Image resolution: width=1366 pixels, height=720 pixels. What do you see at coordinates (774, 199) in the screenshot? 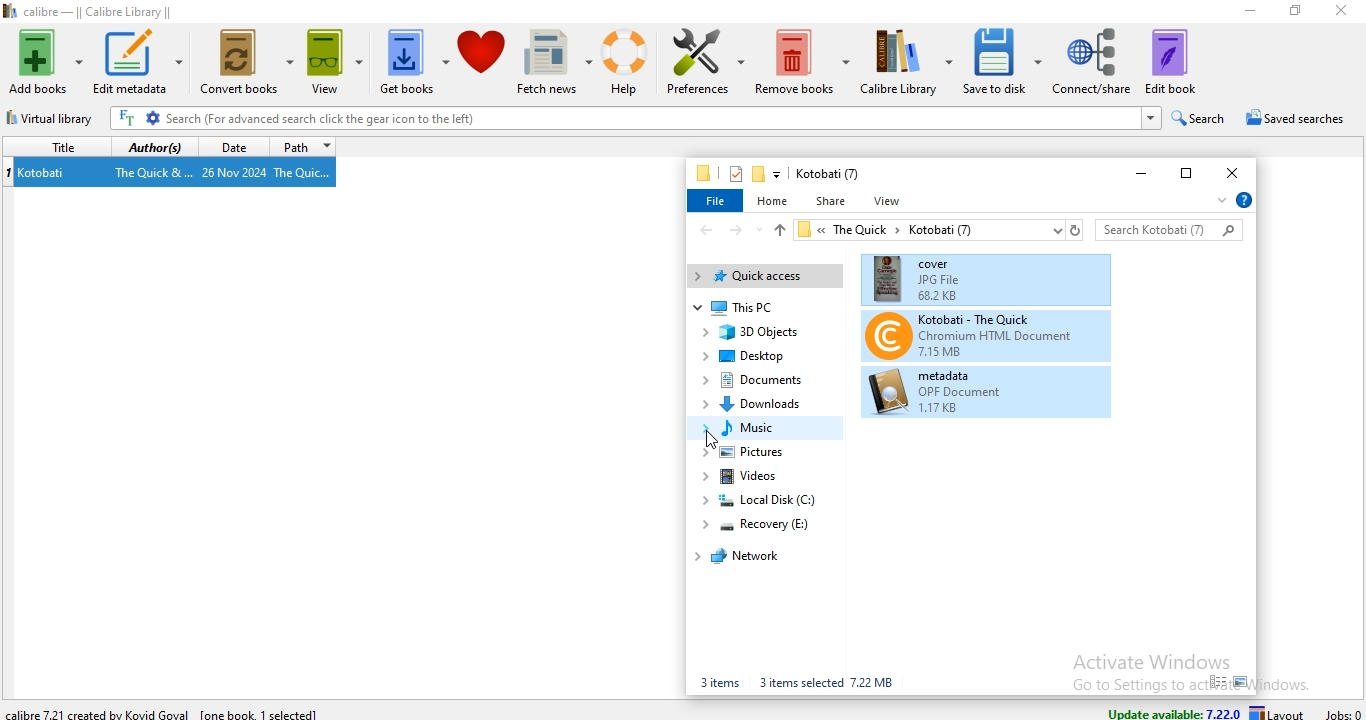
I see `home` at bounding box center [774, 199].